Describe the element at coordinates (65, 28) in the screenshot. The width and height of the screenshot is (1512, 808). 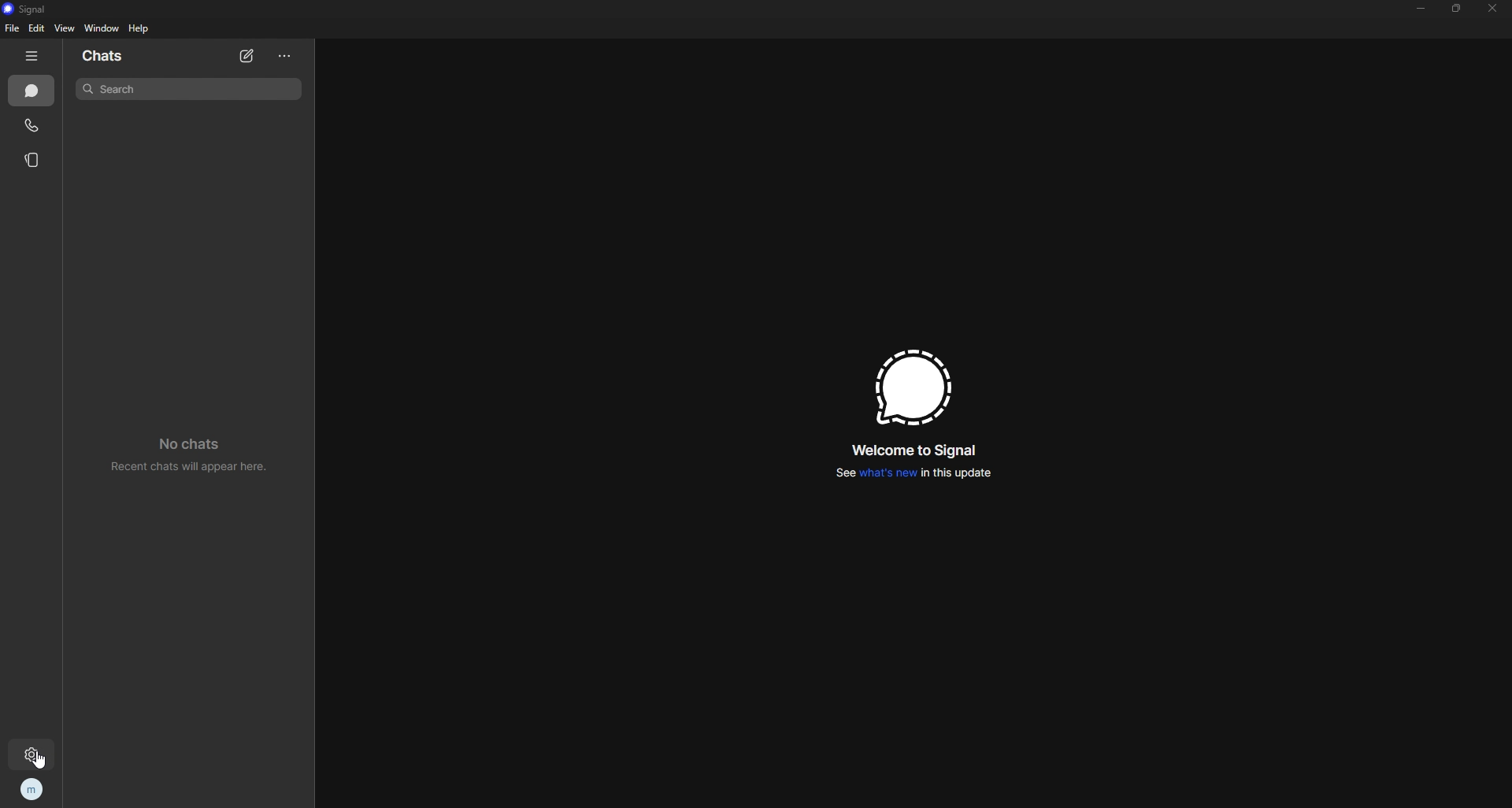
I see `view` at that location.